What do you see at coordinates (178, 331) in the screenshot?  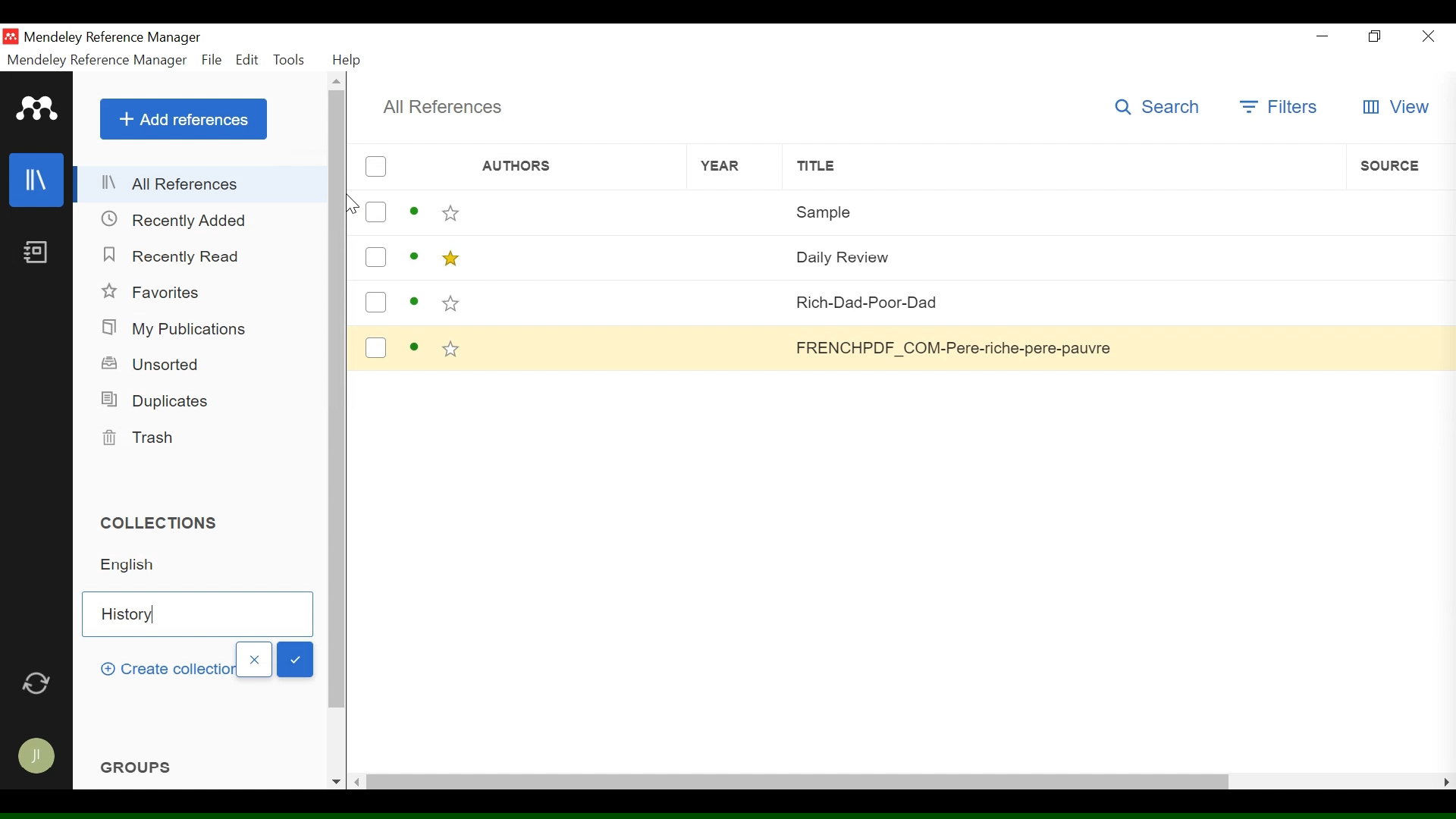 I see `My Publications` at bounding box center [178, 331].